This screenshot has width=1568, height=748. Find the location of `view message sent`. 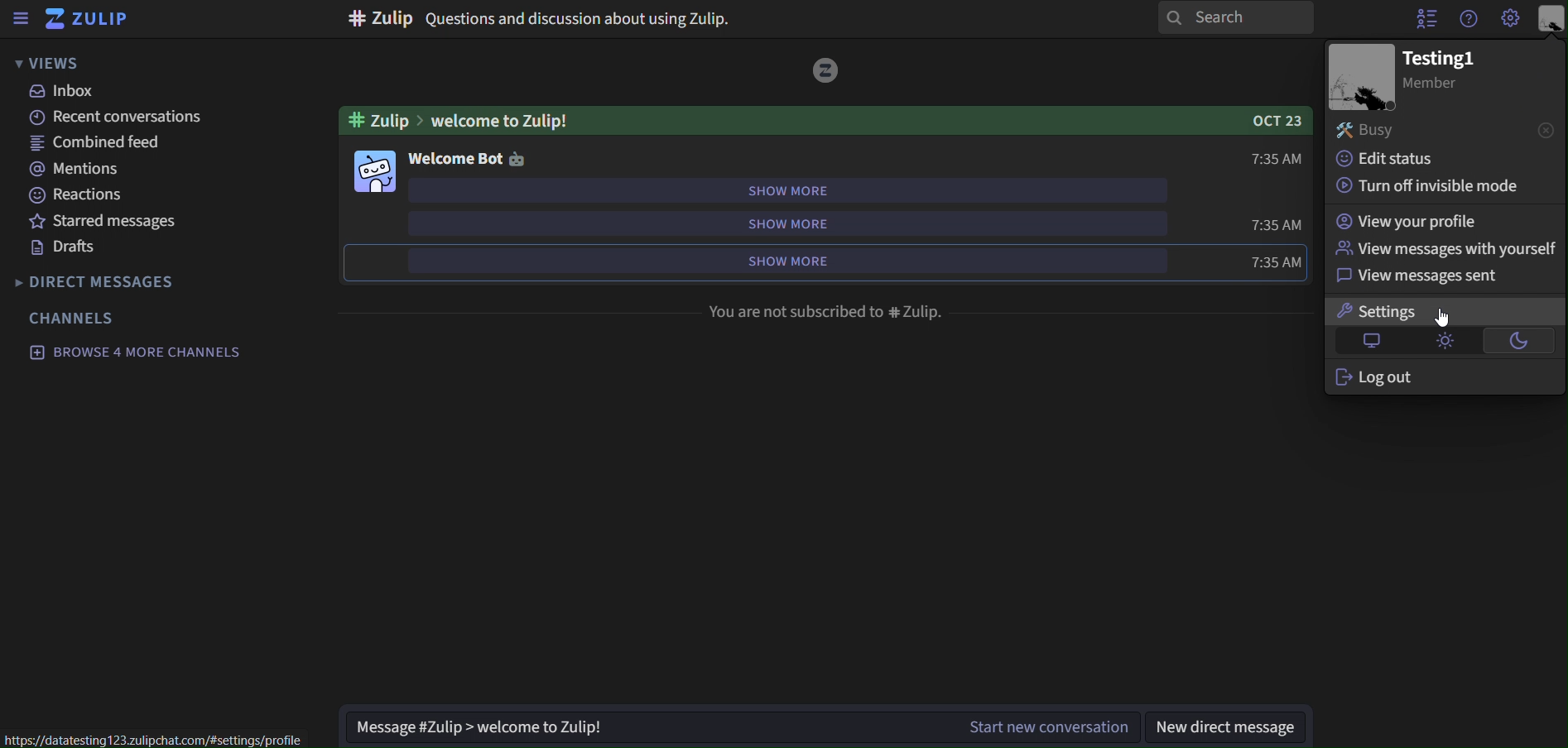

view message sent is located at coordinates (1418, 276).